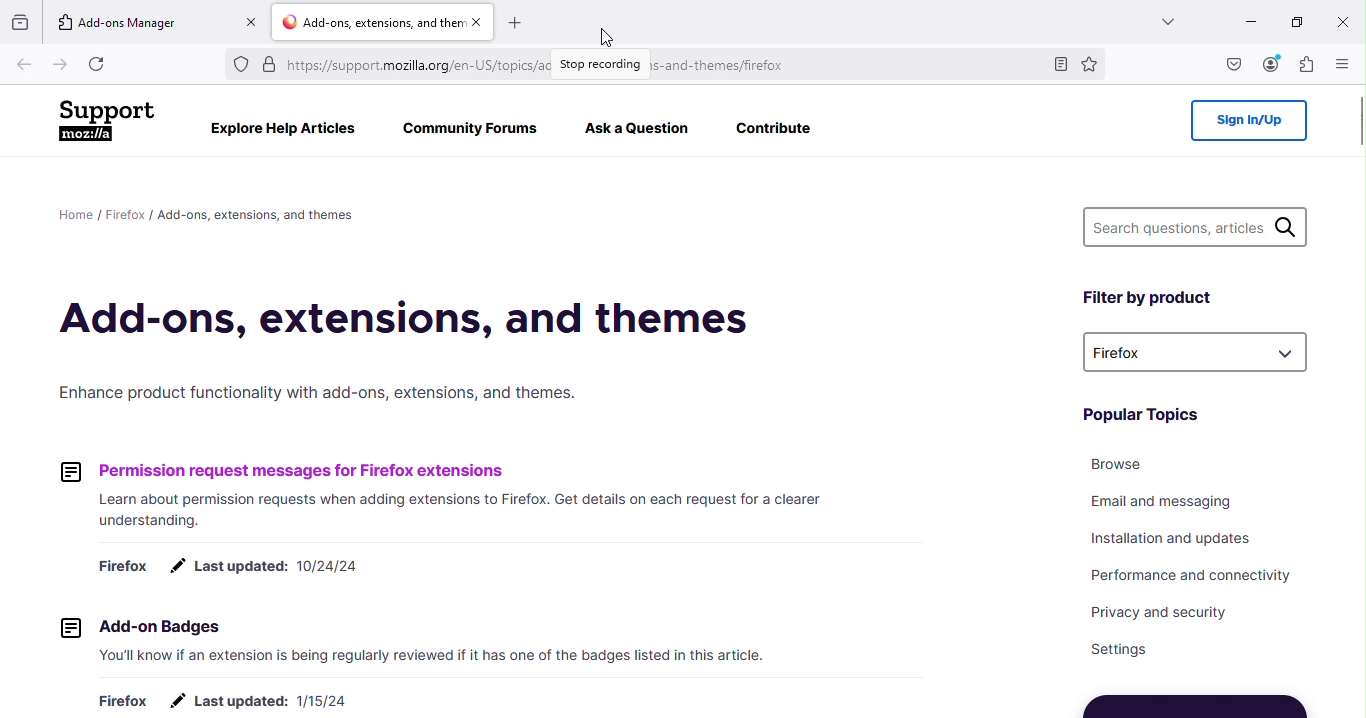 Image resolution: width=1366 pixels, height=718 pixels. I want to click on Close tab, so click(250, 23).